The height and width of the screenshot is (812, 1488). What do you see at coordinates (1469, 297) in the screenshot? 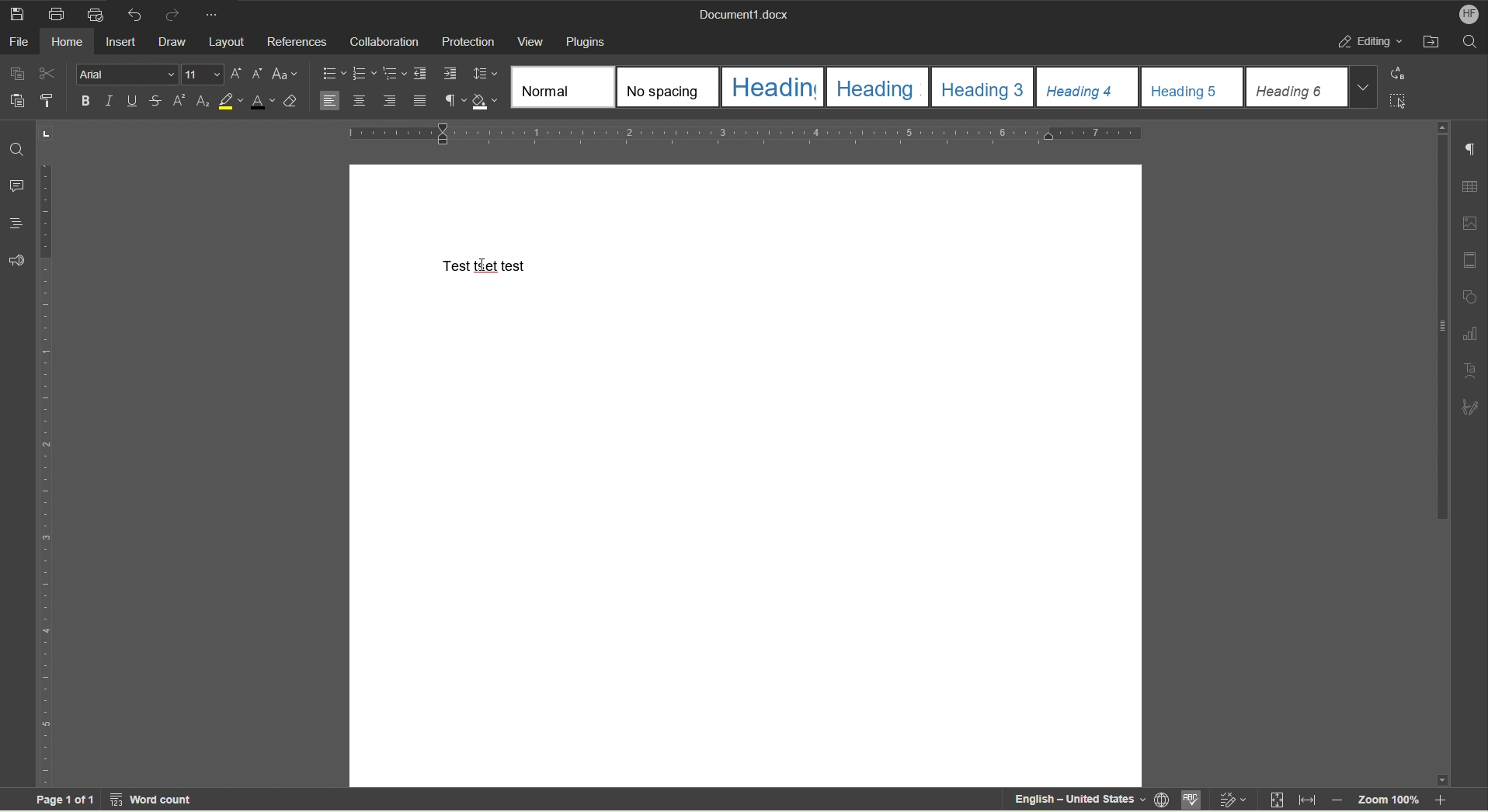
I see `Shape Settings` at bounding box center [1469, 297].